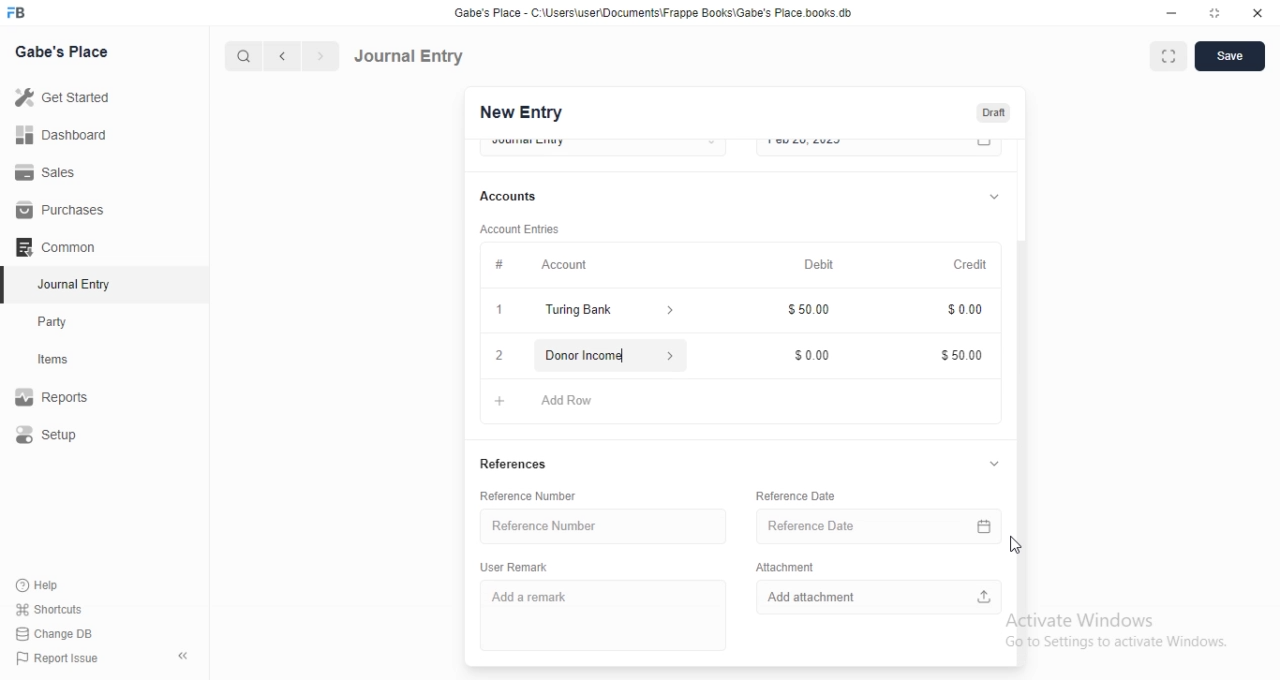  I want to click on Reference Number, so click(537, 496).